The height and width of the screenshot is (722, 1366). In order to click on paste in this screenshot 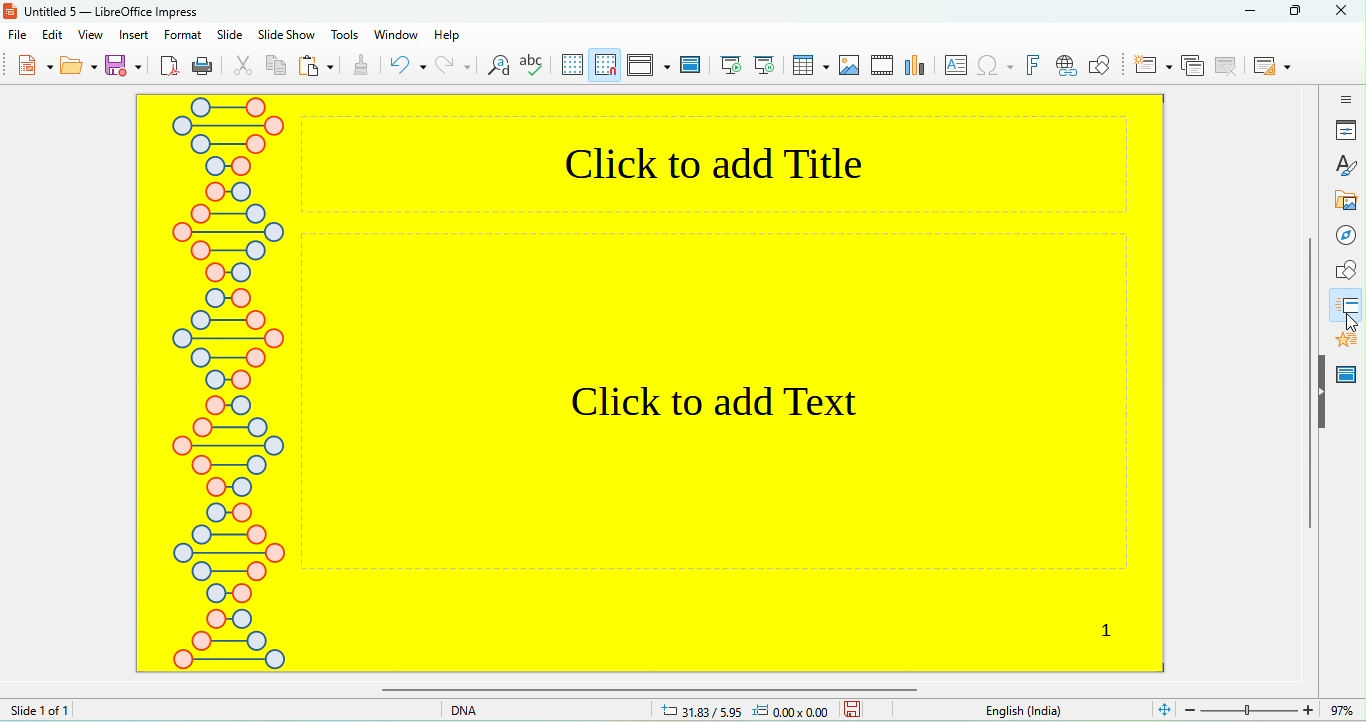, I will do `click(321, 68)`.